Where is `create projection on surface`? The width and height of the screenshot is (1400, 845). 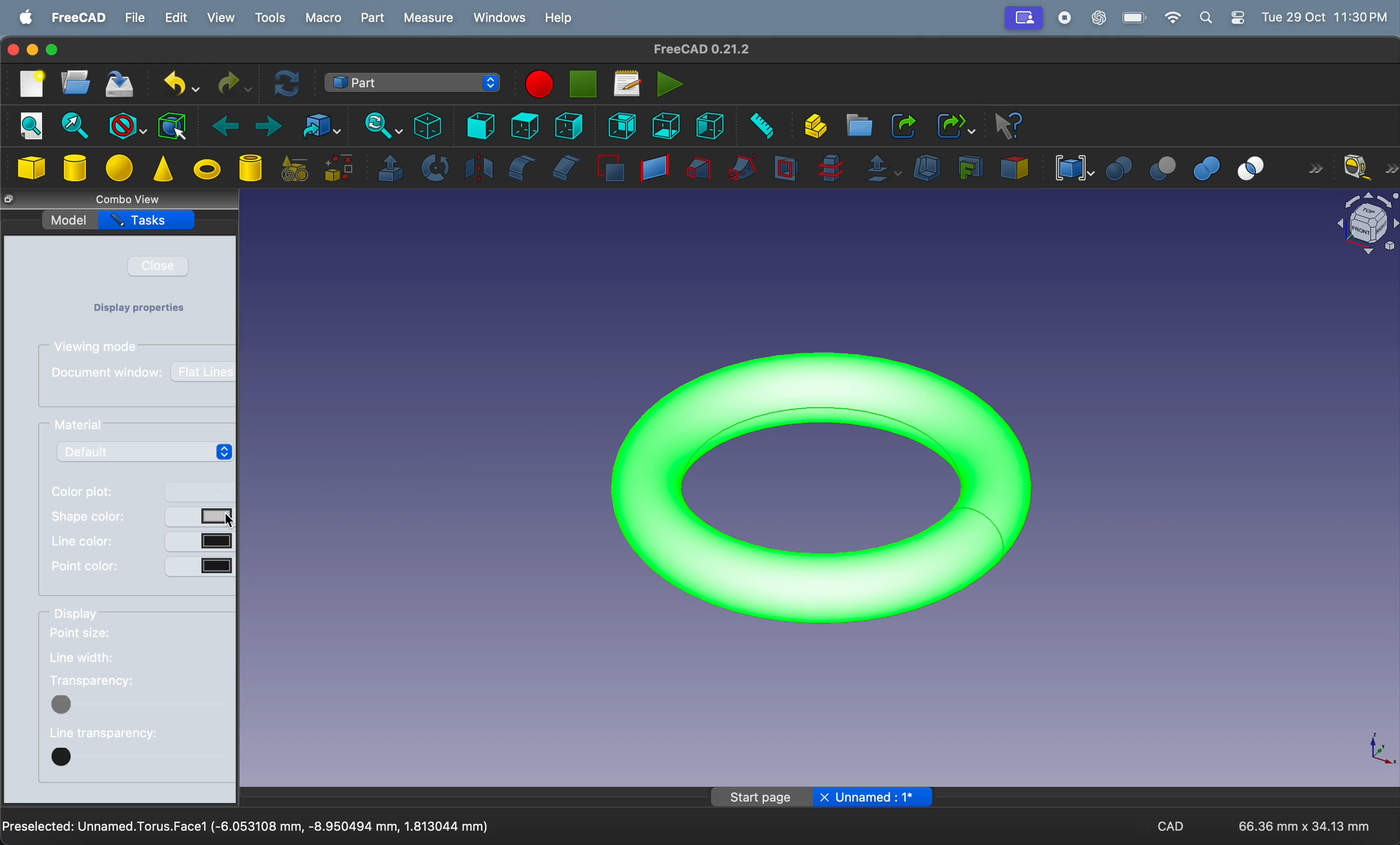 create projection on surface is located at coordinates (968, 167).